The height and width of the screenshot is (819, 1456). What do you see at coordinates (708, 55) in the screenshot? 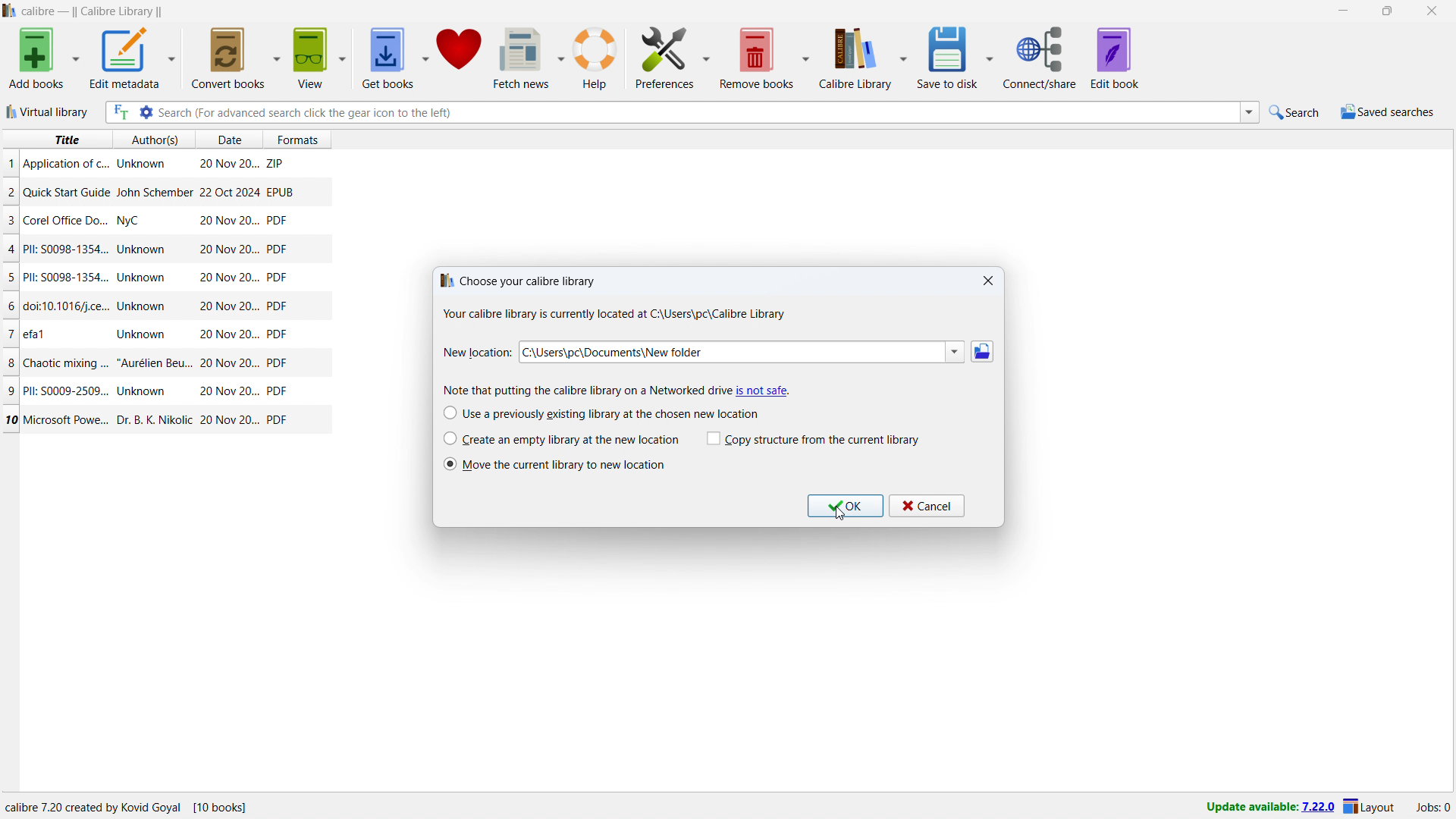
I see `preferences options` at bounding box center [708, 55].